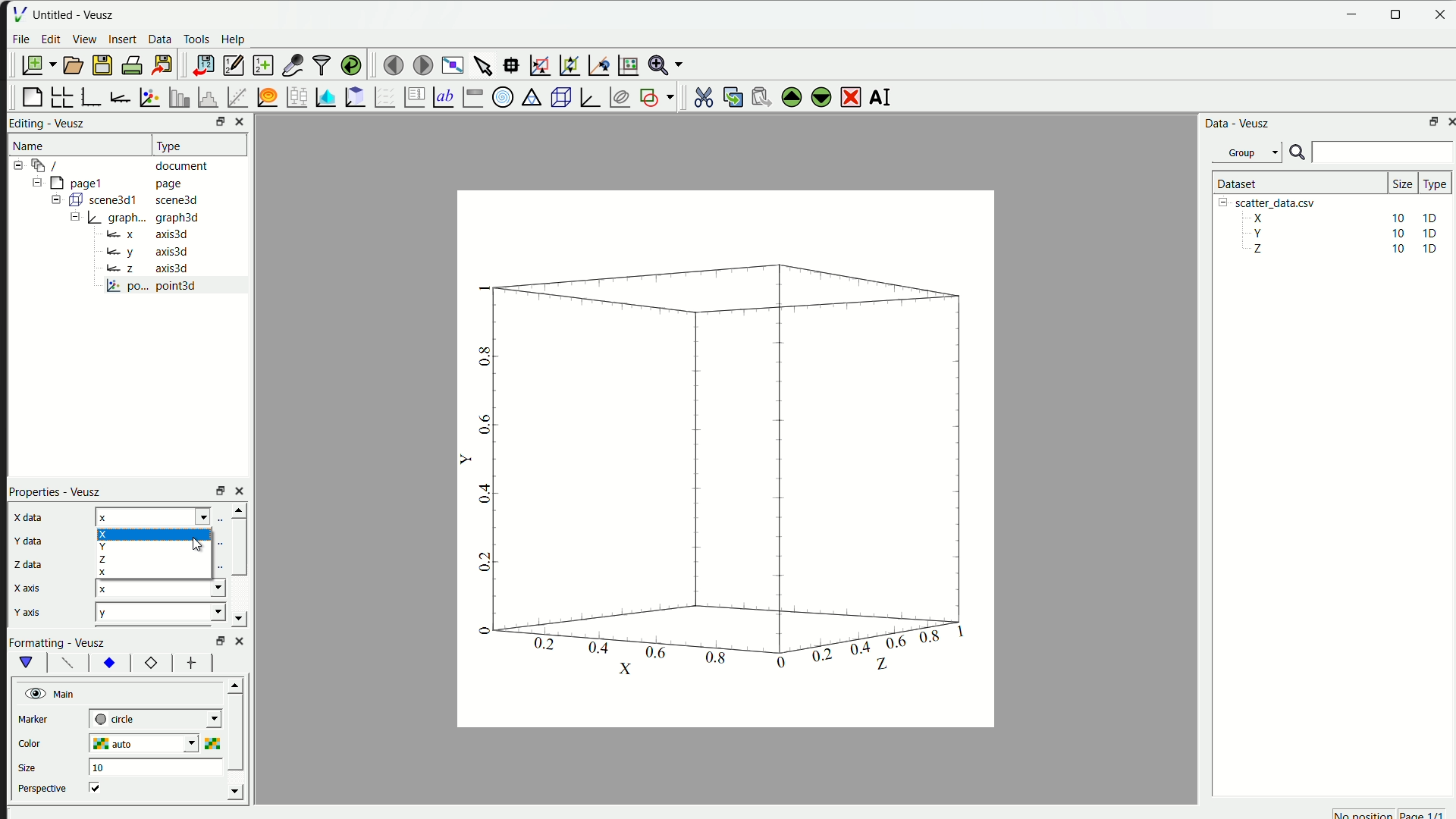  I want to click on x x, so click(168, 565).